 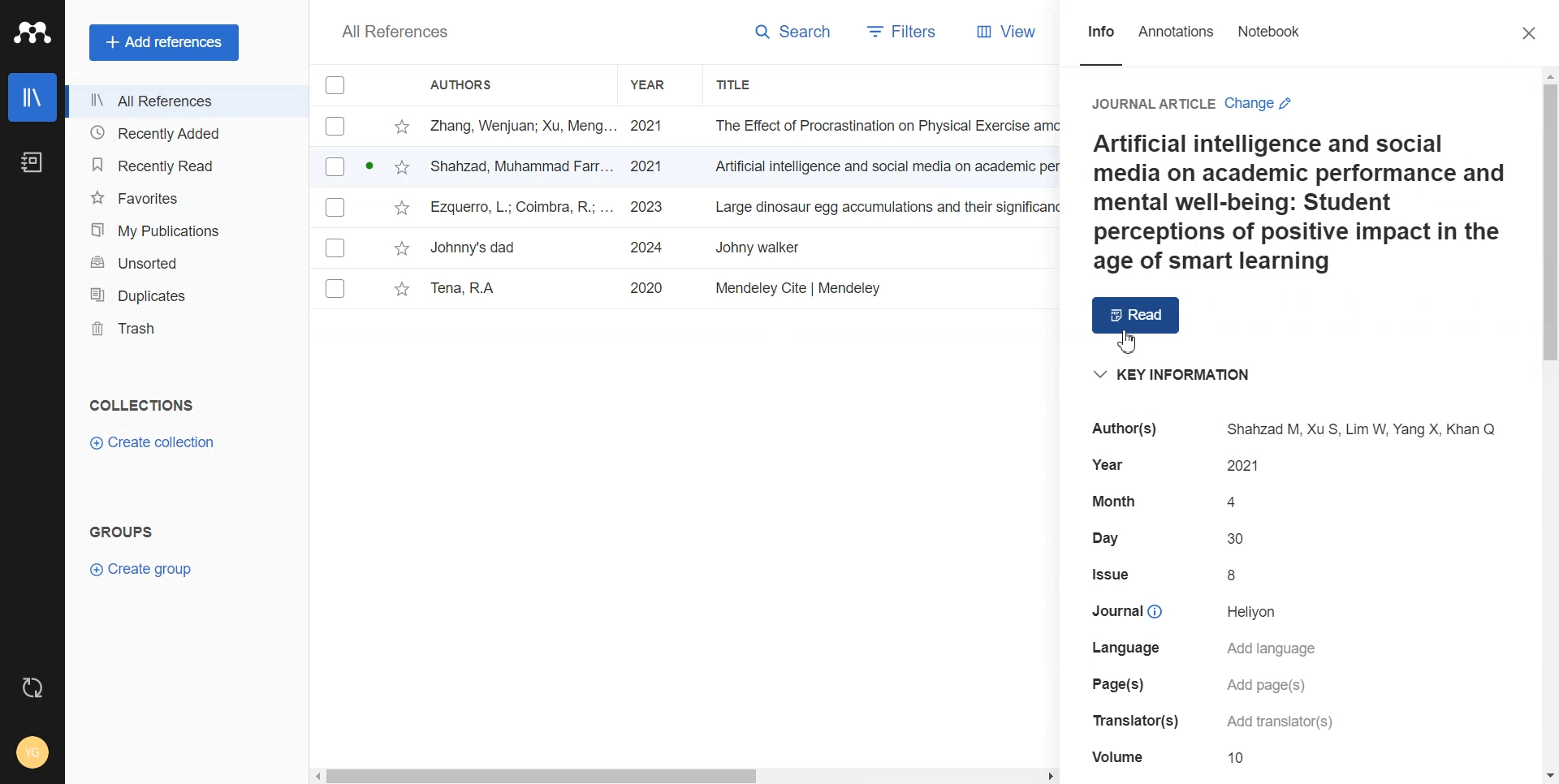 What do you see at coordinates (32, 162) in the screenshot?
I see `Notebook` at bounding box center [32, 162].